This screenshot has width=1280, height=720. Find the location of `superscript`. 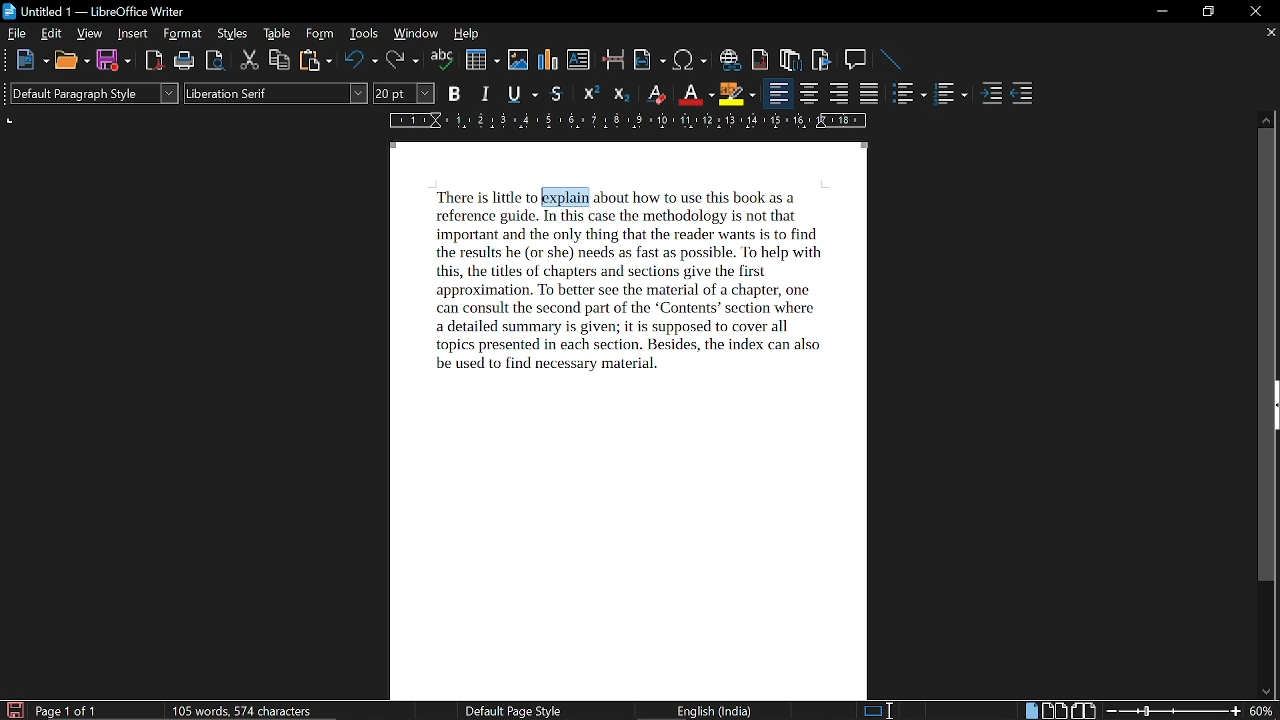

superscript is located at coordinates (590, 95).